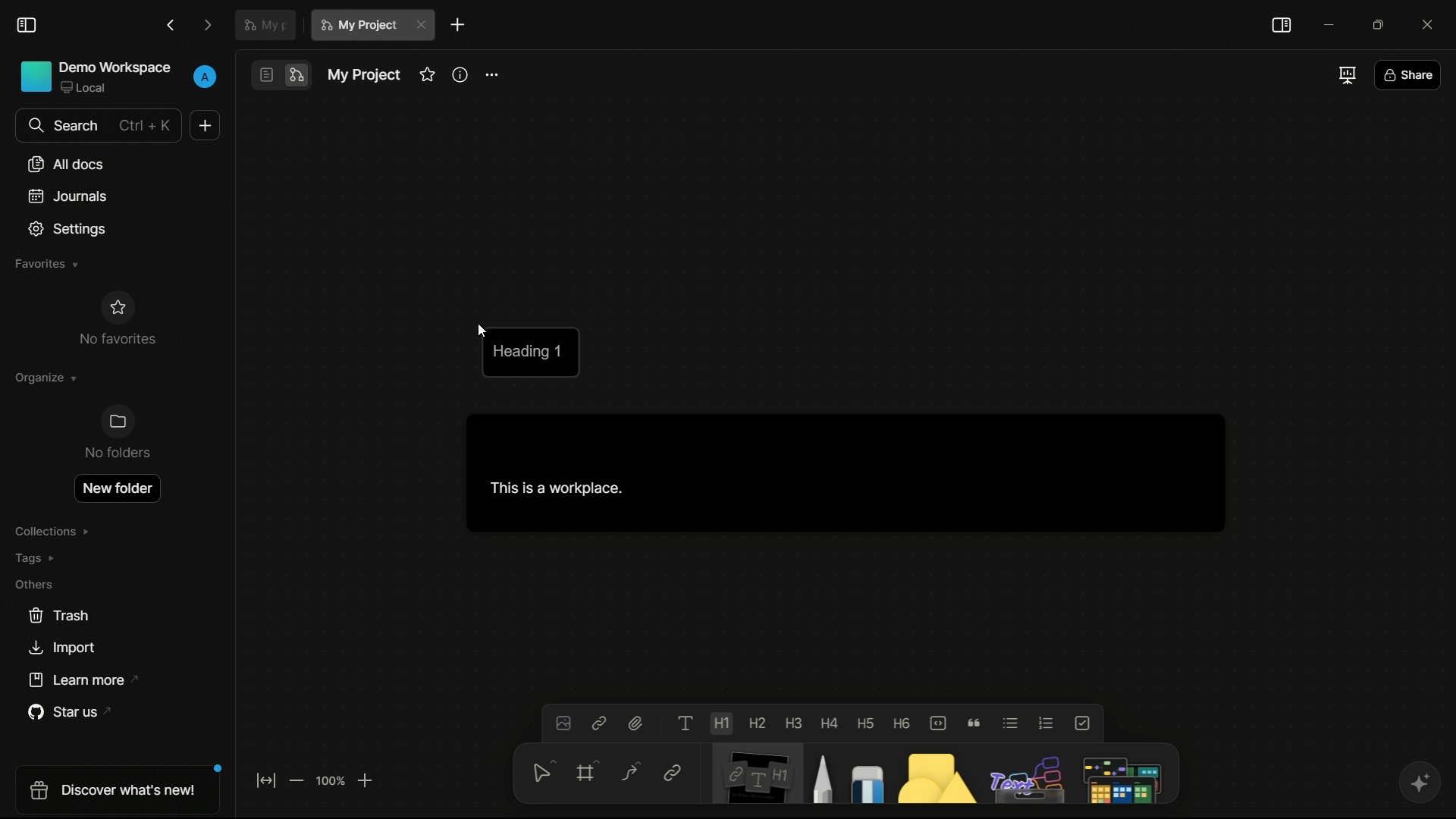  Describe the element at coordinates (723, 724) in the screenshot. I see `heading 1` at that location.